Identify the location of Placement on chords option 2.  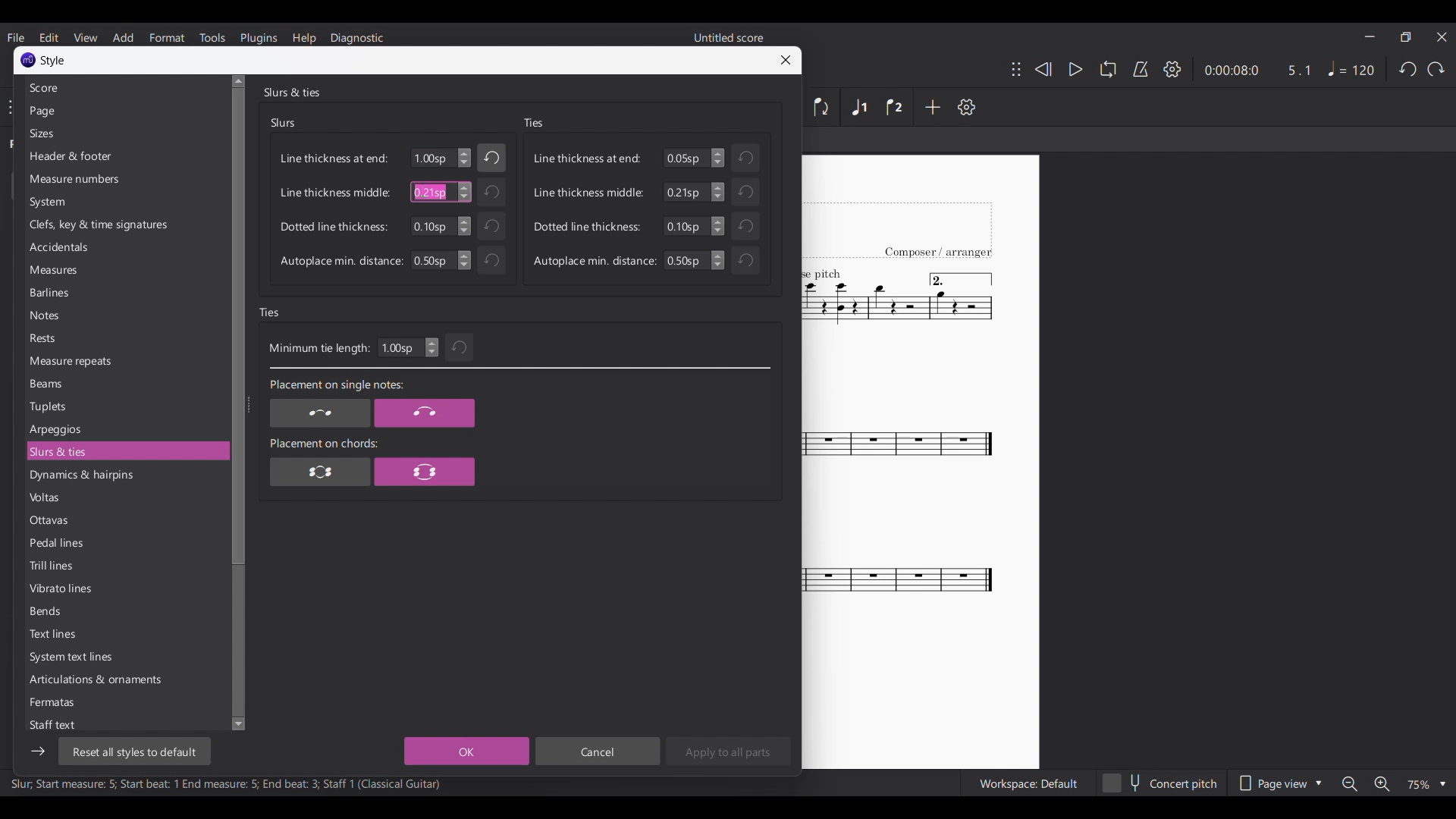
(425, 471).